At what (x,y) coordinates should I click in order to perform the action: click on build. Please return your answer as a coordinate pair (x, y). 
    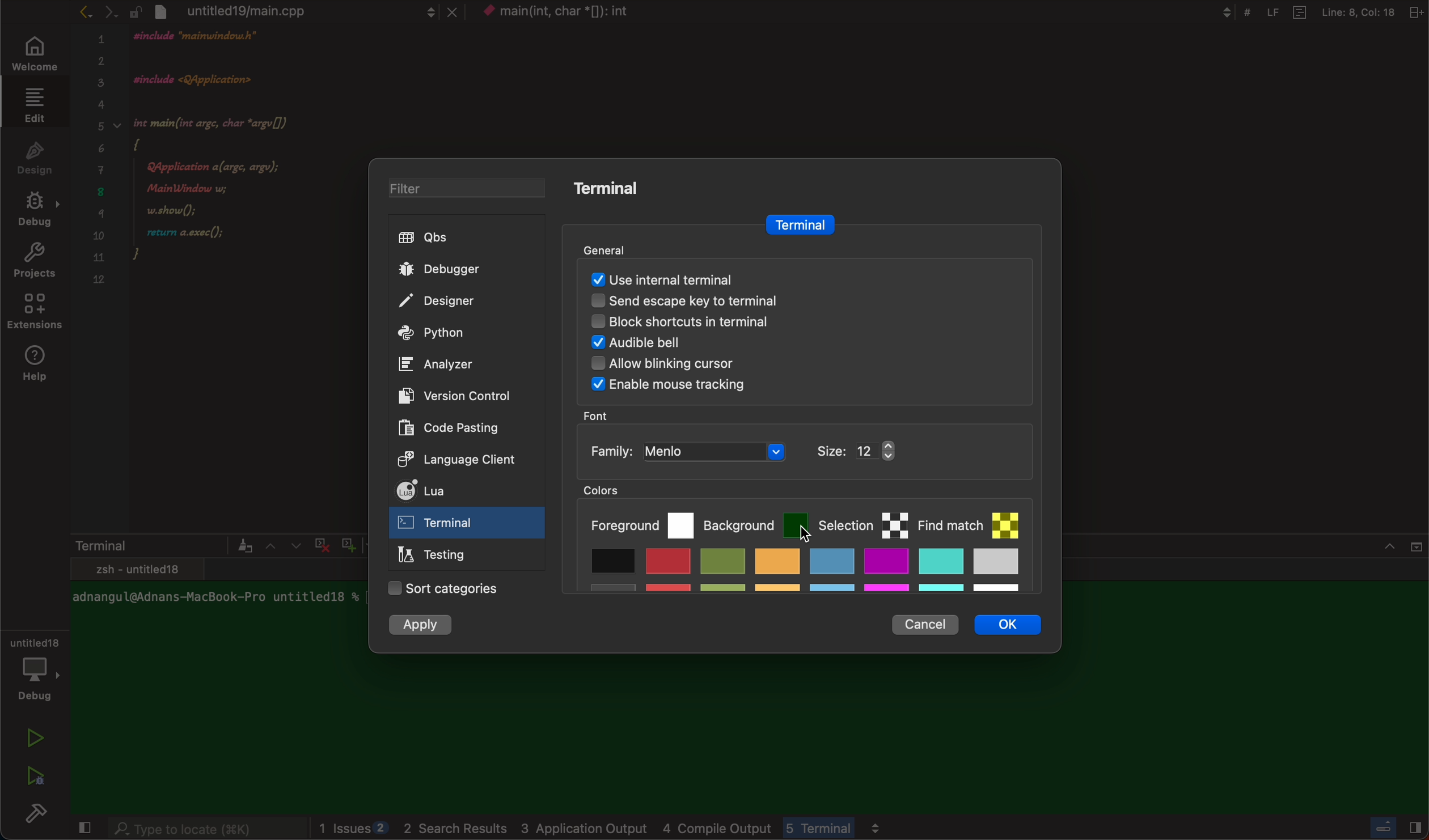
    Looking at the image, I should click on (40, 816).